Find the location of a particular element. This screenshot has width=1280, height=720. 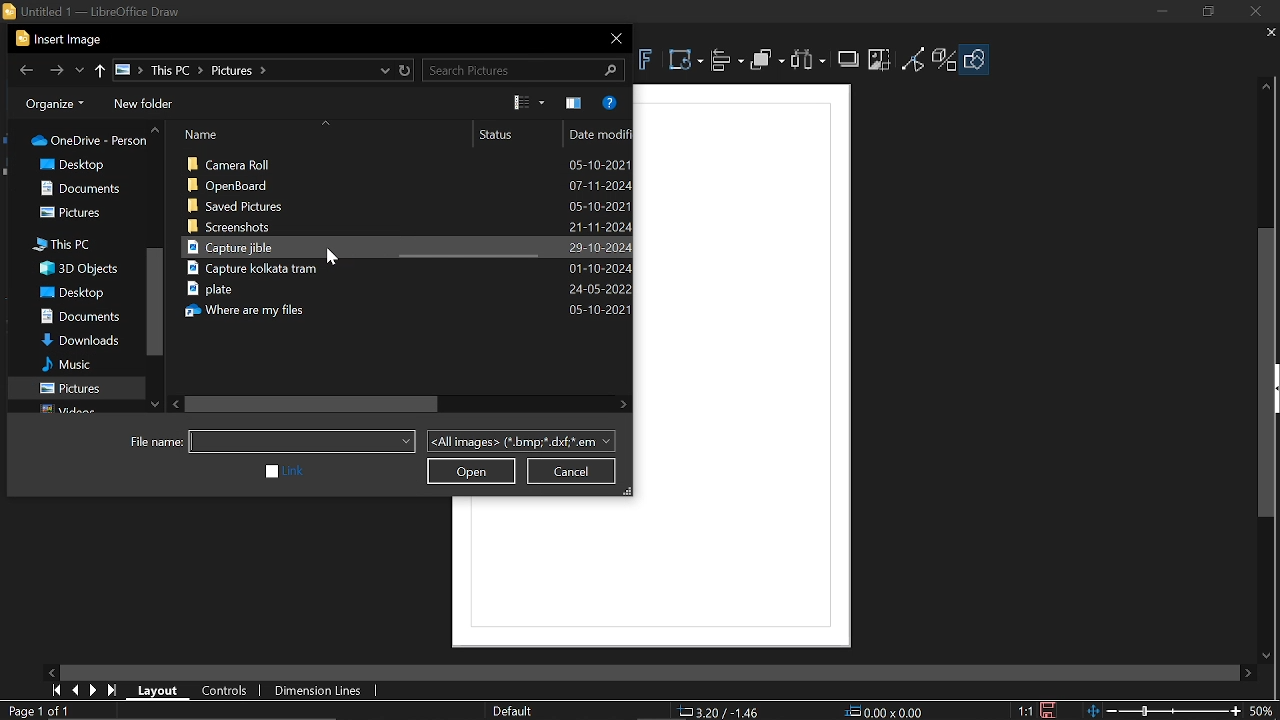

date modified is located at coordinates (599, 134).